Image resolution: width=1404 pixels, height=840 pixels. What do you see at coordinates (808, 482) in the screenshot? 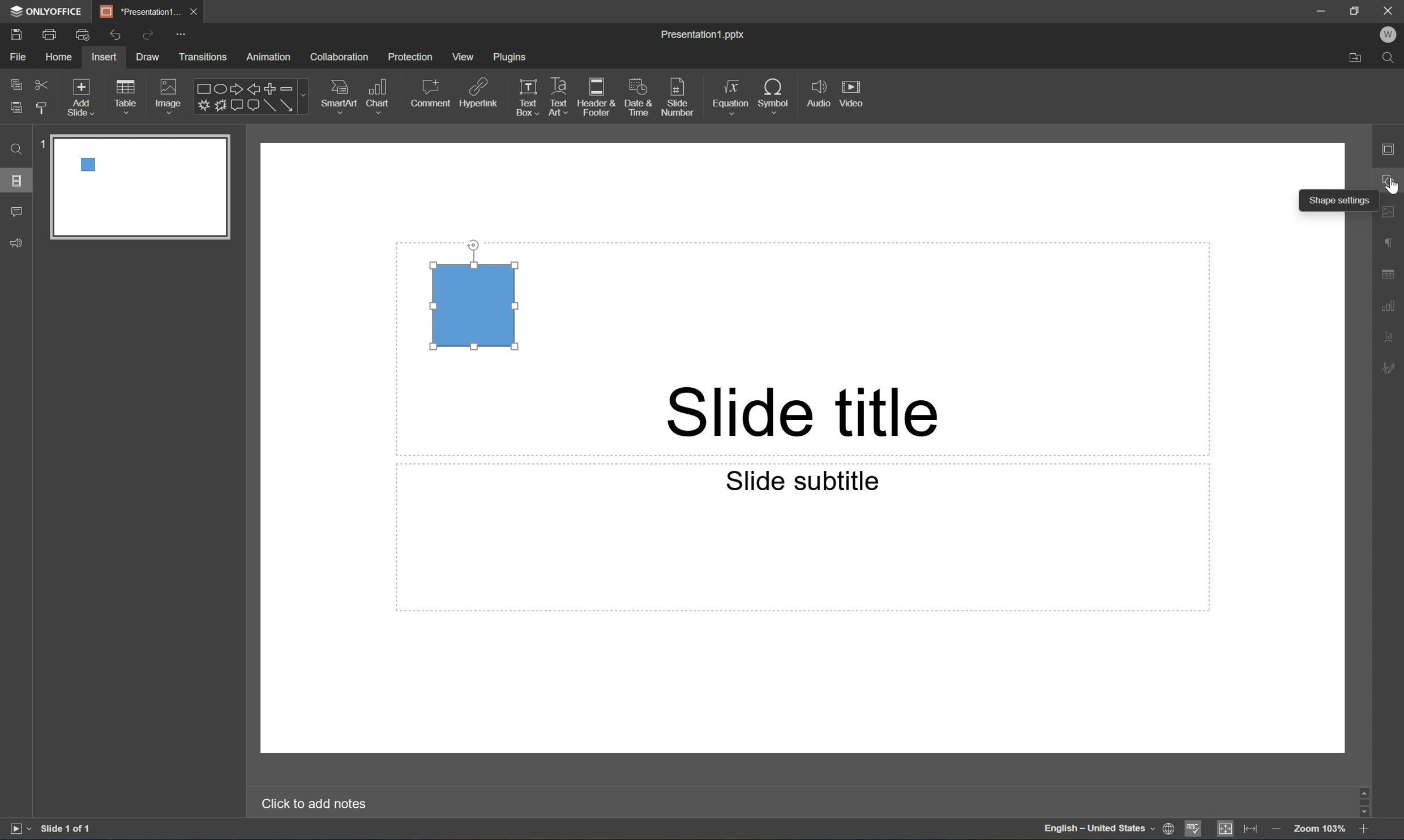
I see `Slide subtitle` at bounding box center [808, 482].